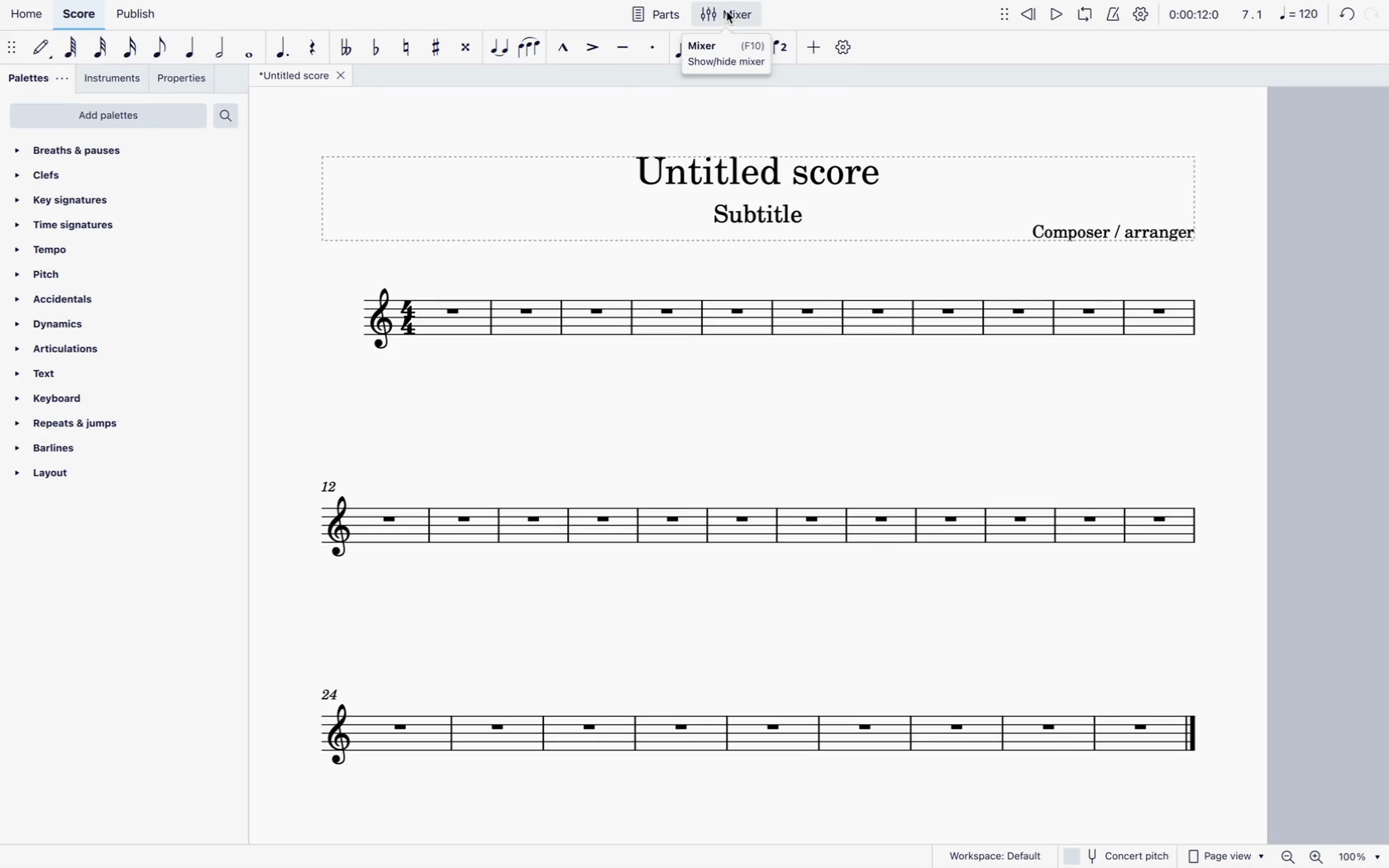  Describe the element at coordinates (1124, 236) in the screenshot. I see `composer / arranger` at that location.